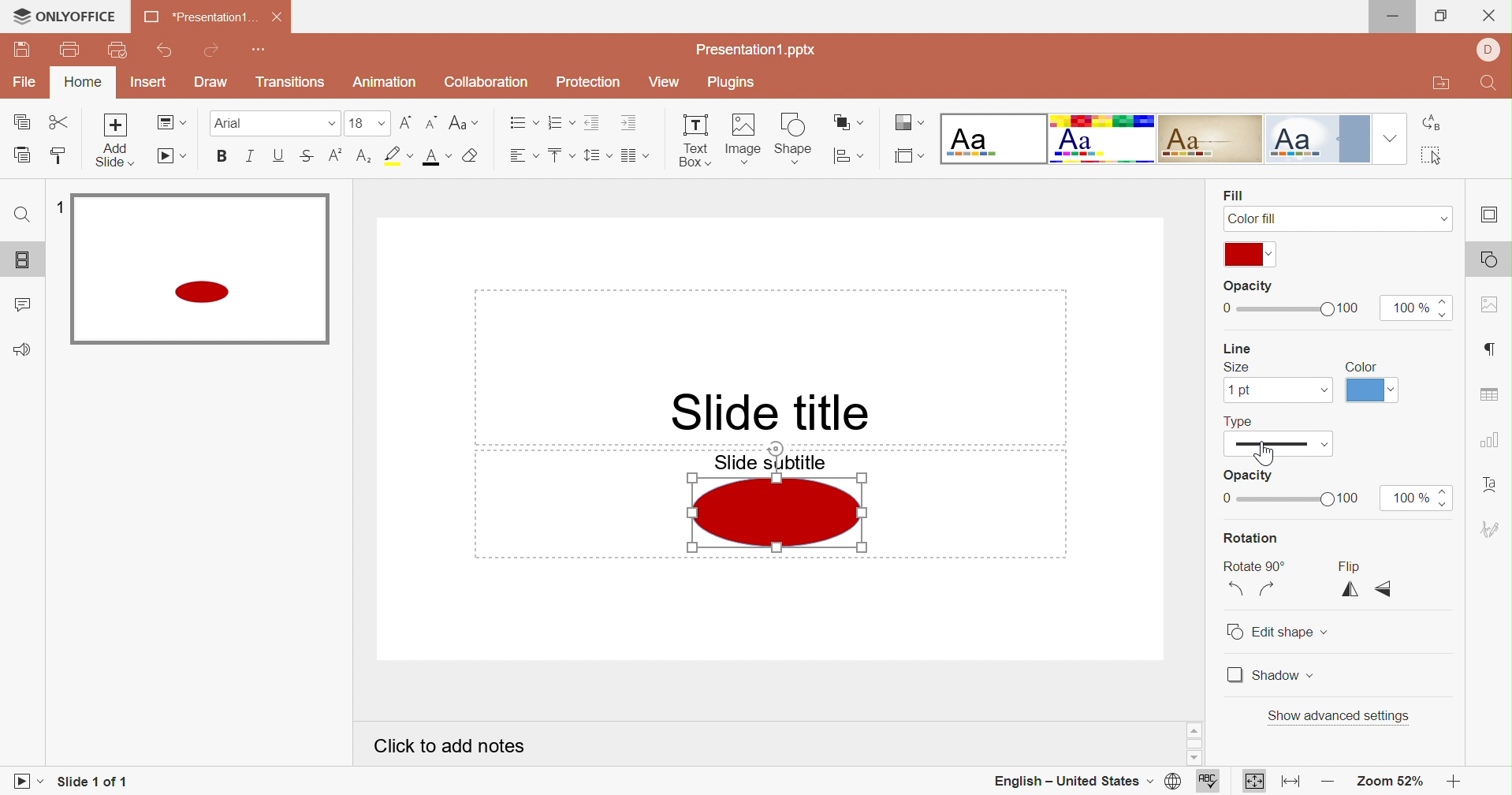 The image size is (1512, 795). I want to click on Chart settings, so click(1488, 439).